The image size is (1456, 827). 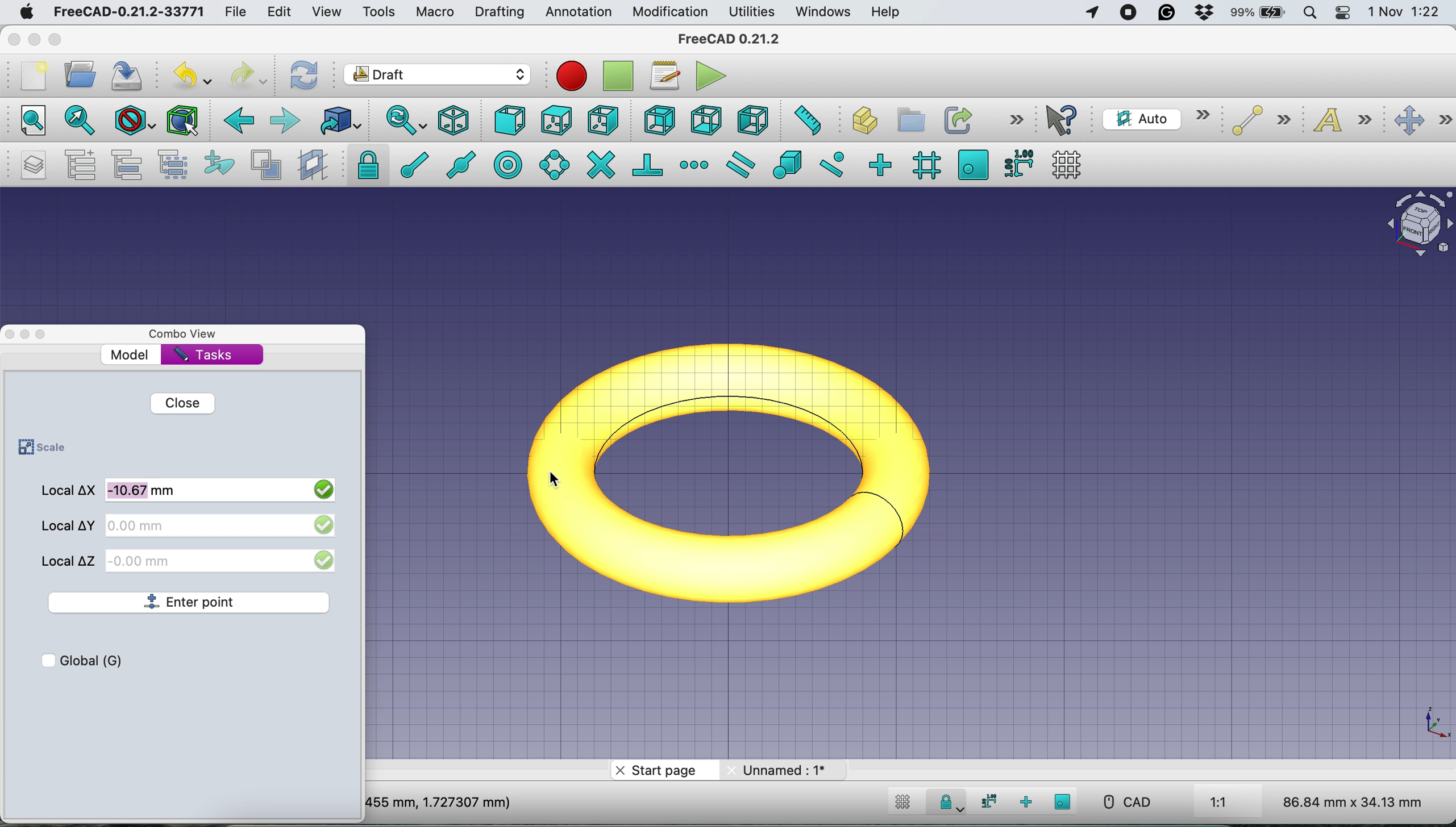 I want to click on text, so click(x=1345, y=122).